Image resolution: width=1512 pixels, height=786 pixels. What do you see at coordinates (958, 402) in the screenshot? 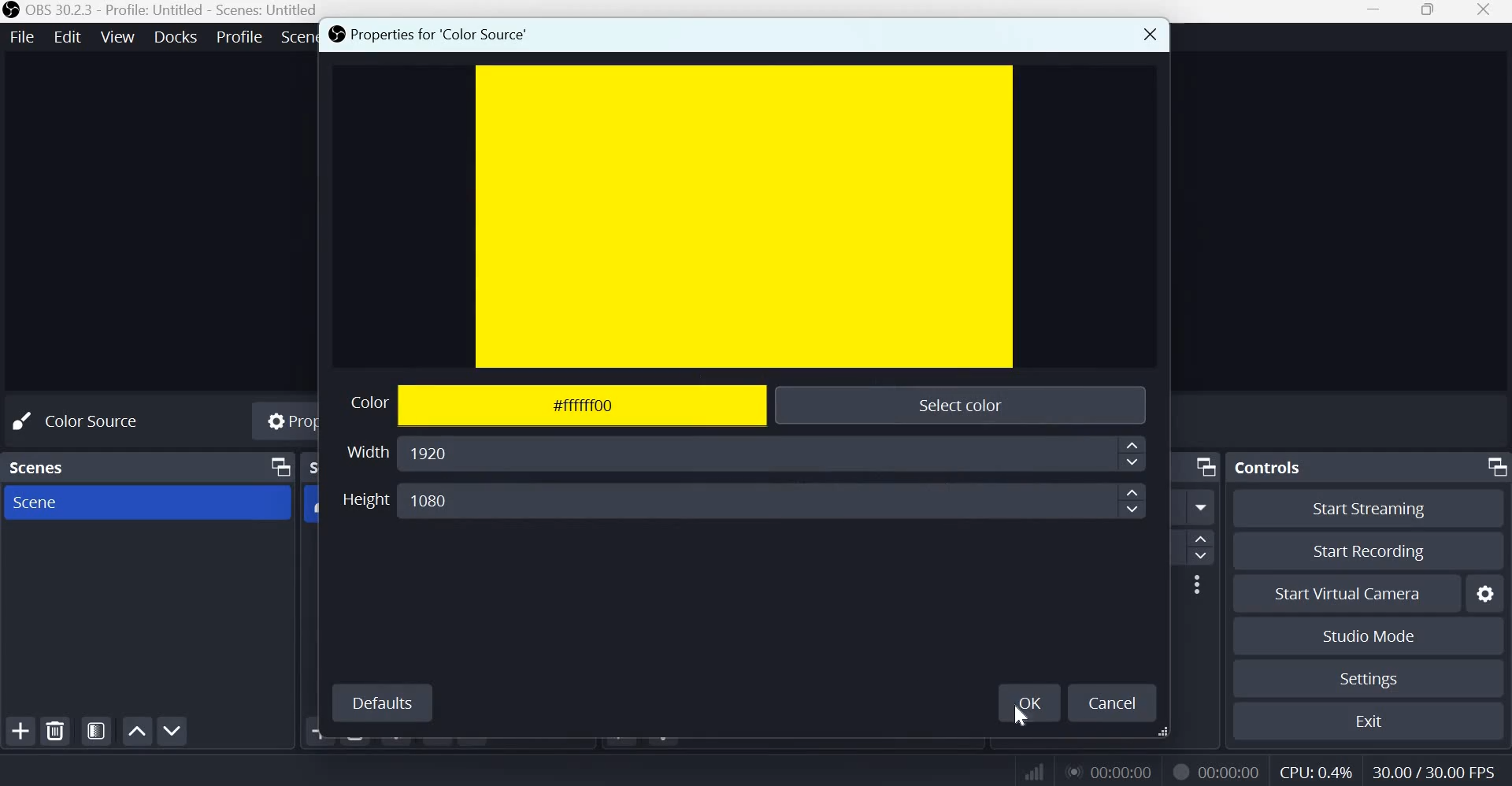
I see `Select color` at bounding box center [958, 402].